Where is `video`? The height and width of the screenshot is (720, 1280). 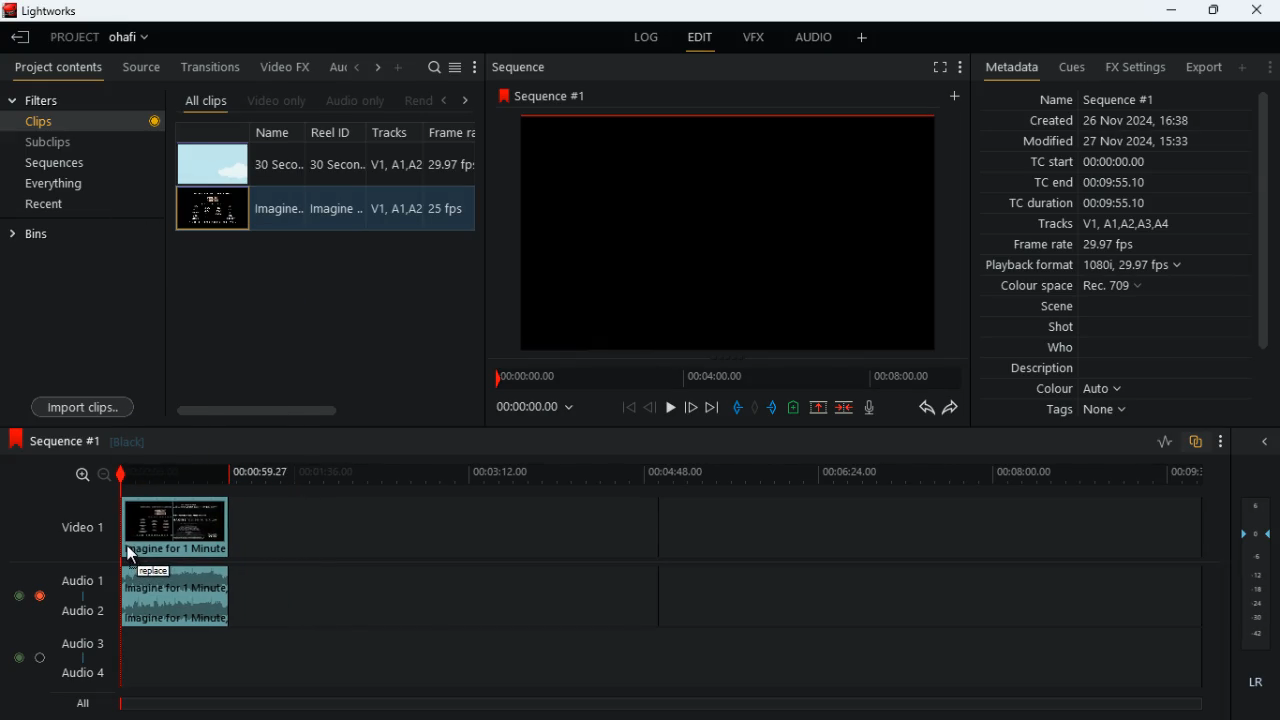 video is located at coordinates (176, 528).